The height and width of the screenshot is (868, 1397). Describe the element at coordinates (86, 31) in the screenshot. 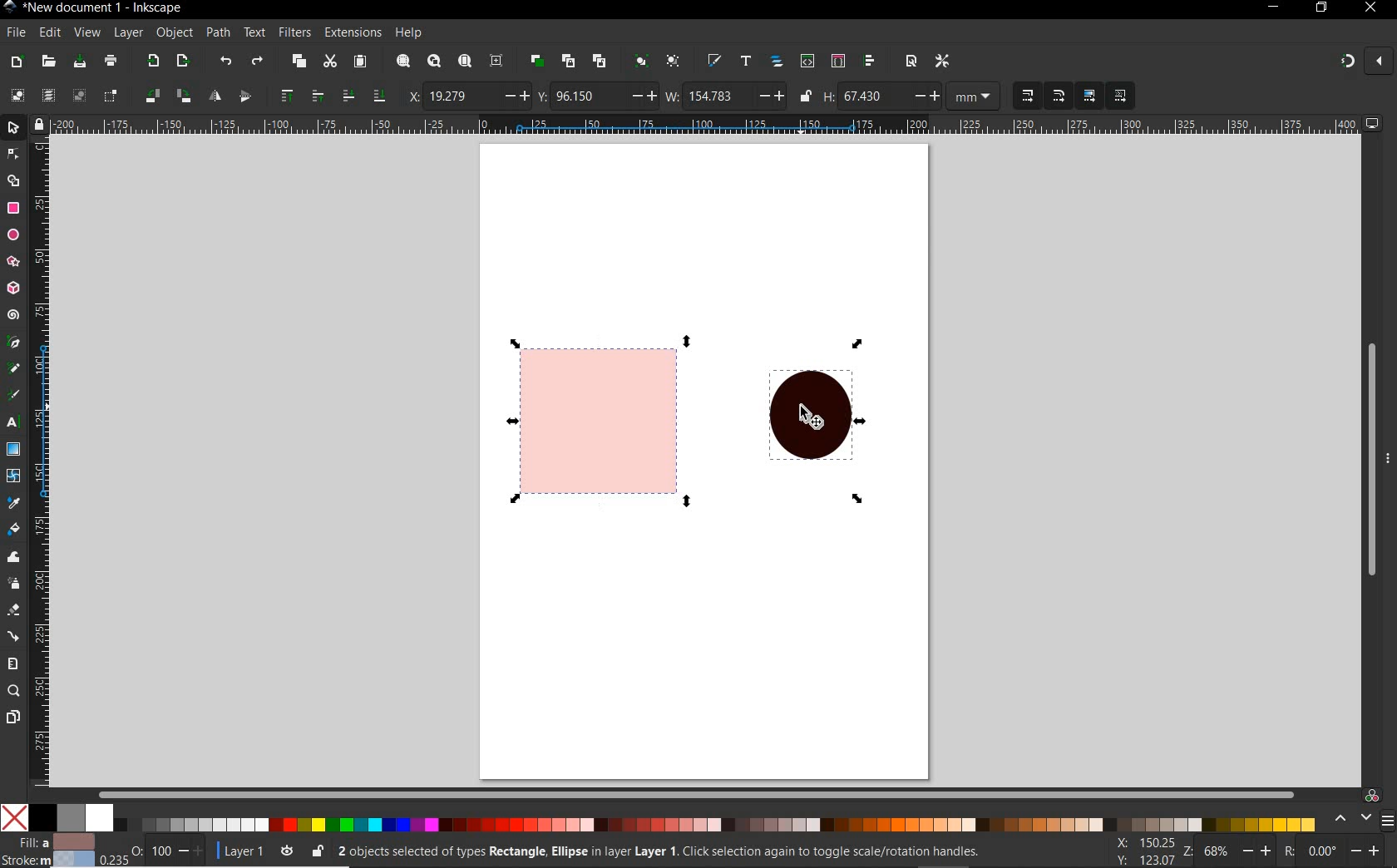

I see `view` at that location.